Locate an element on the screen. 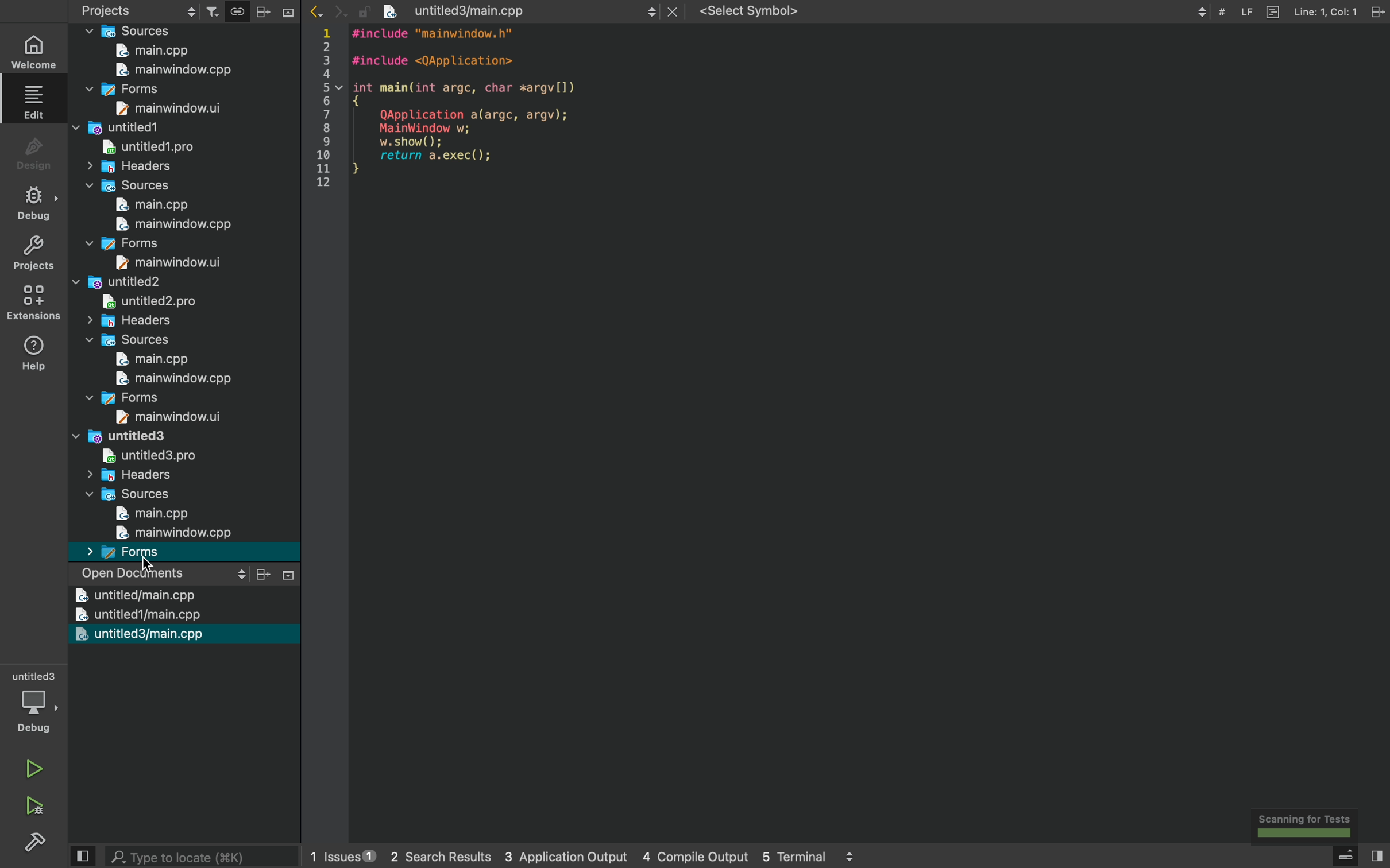  4 console output is located at coordinates (682, 857).